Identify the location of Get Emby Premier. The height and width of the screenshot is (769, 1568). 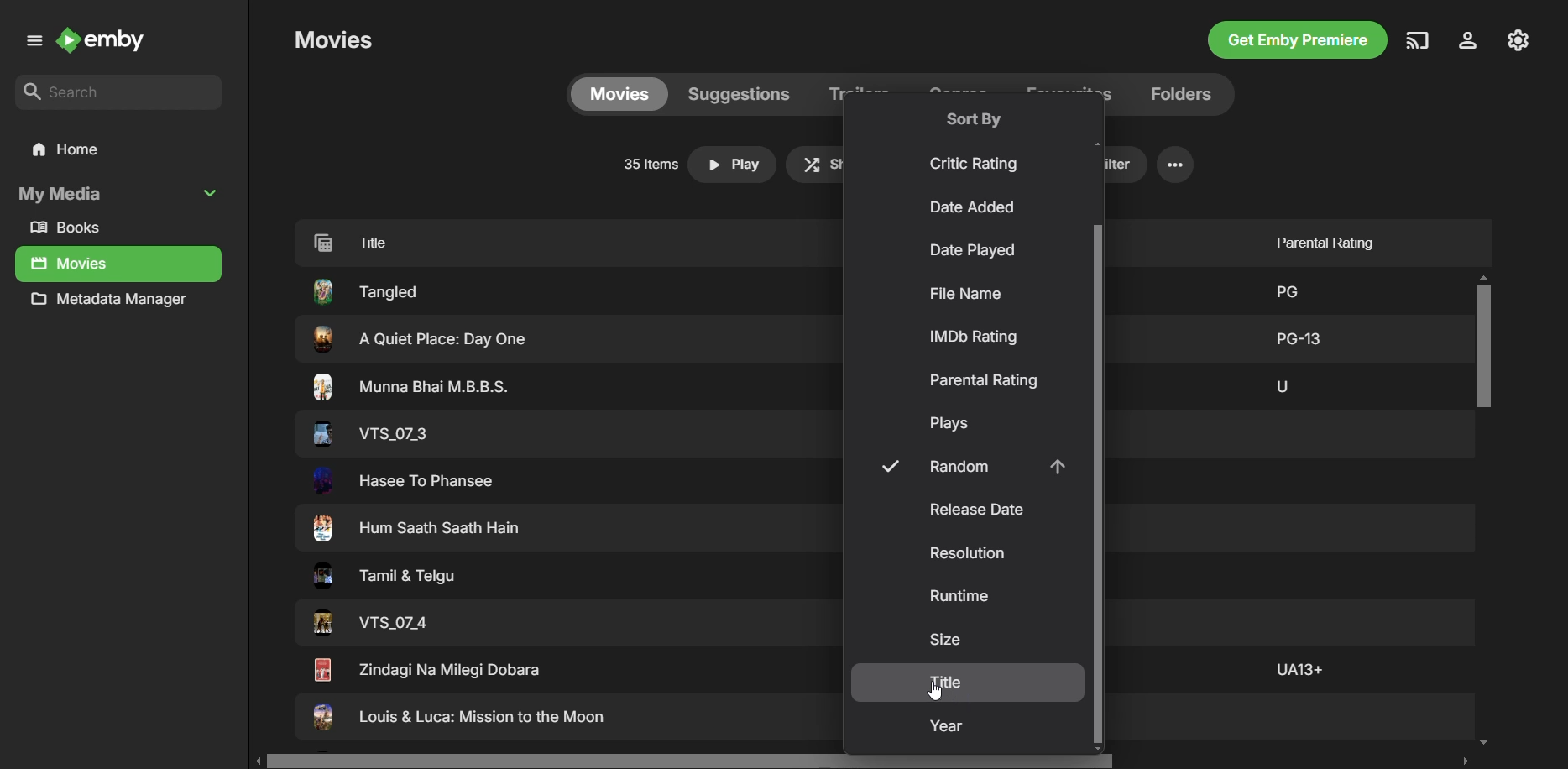
(1295, 42).